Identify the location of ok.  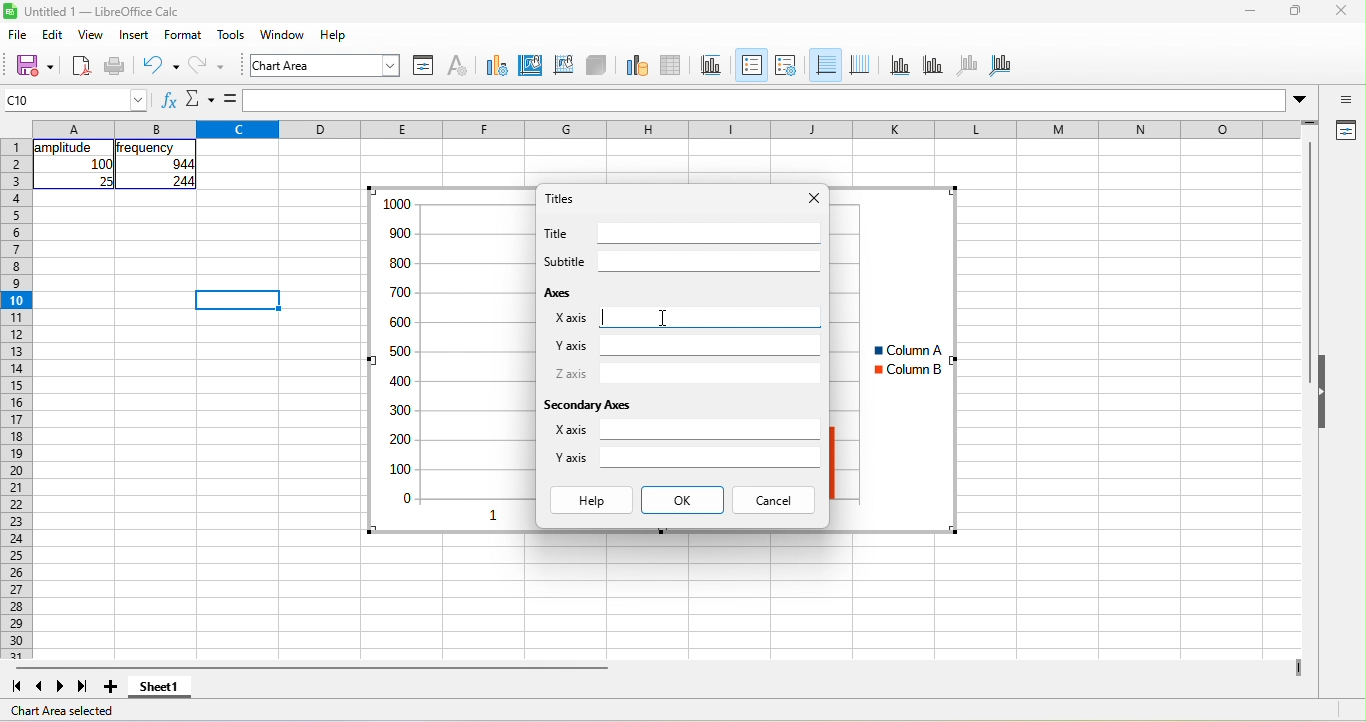
(683, 500).